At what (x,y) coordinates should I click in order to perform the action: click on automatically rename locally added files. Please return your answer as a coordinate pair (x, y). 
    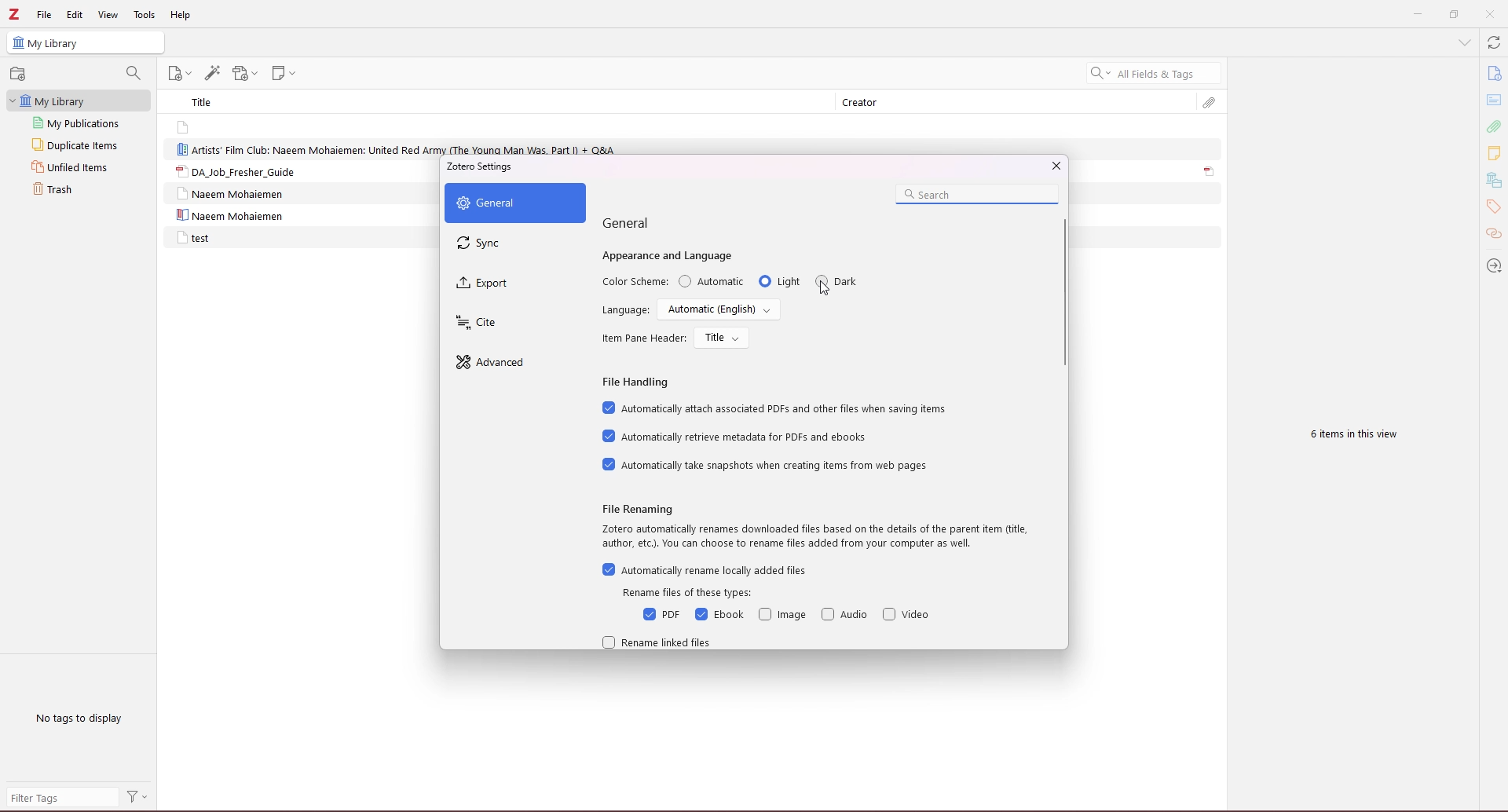
    Looking at the image, I should click on (704, 570).